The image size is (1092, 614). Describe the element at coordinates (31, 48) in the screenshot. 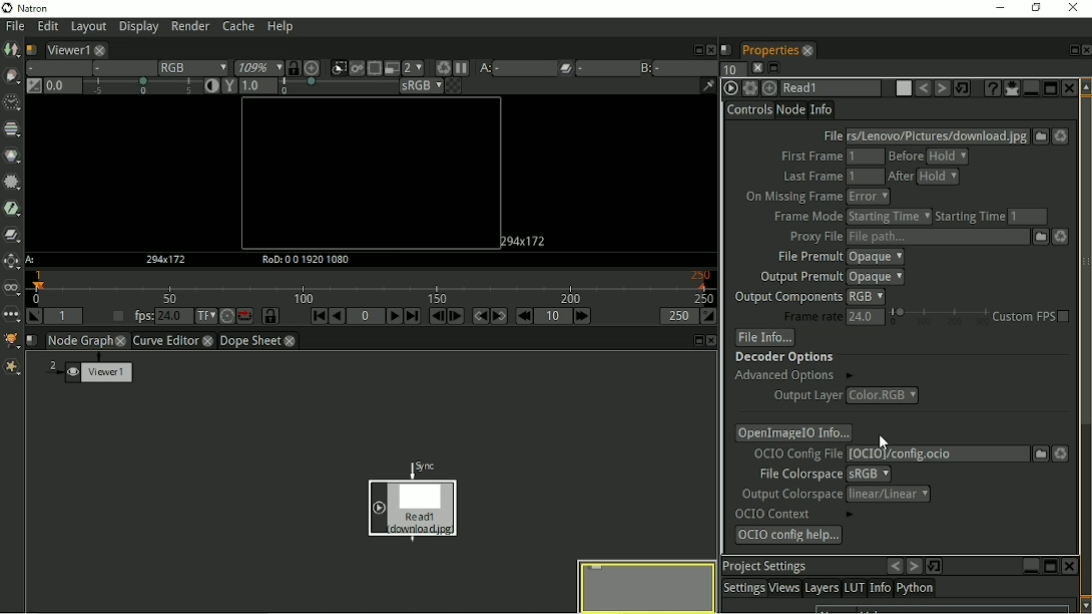

I see `Script name` at that location.